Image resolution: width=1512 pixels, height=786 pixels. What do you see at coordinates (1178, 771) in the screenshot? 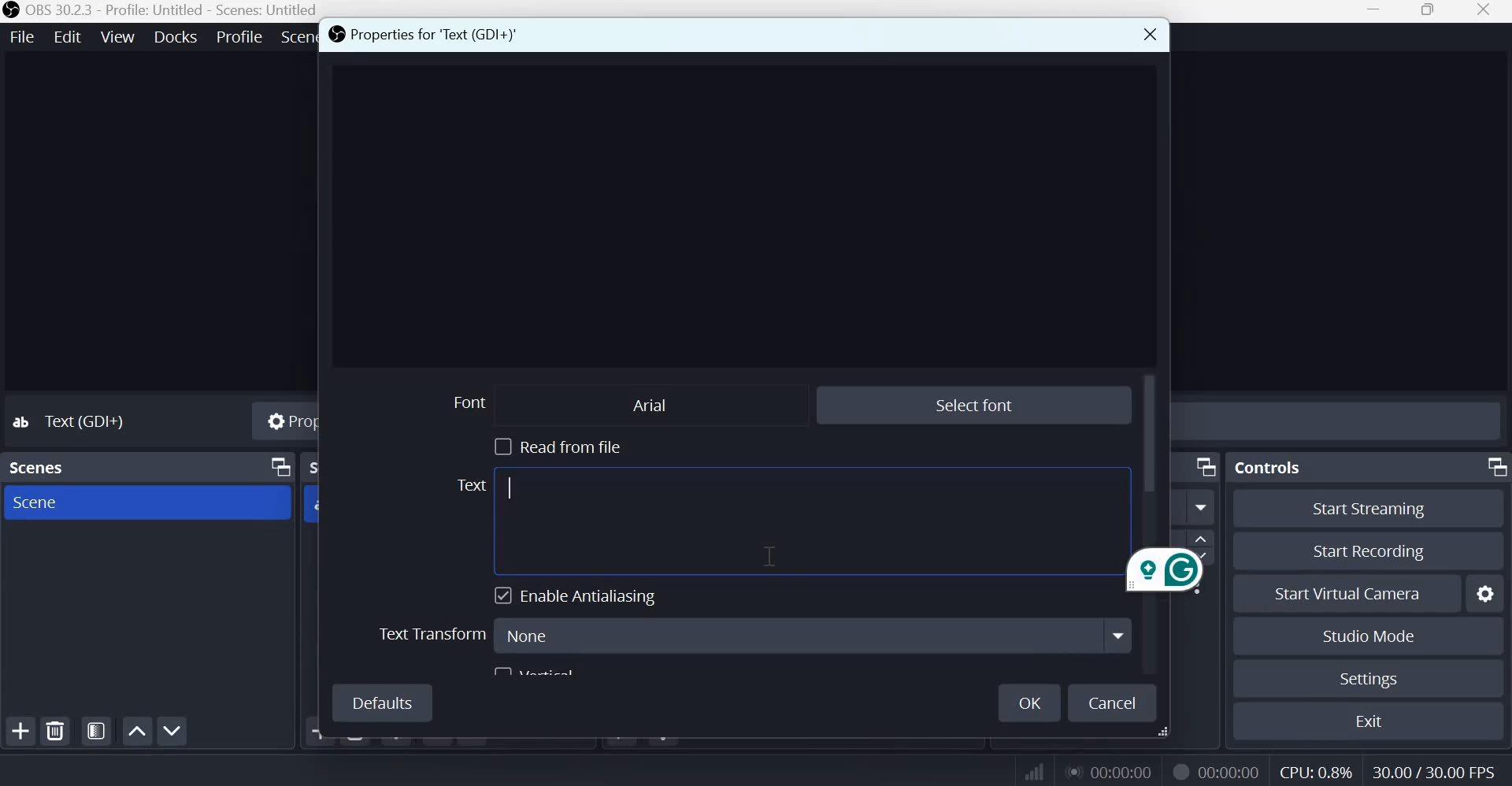
I see `Recording Status Icon` at bounding box center [1178, 771].